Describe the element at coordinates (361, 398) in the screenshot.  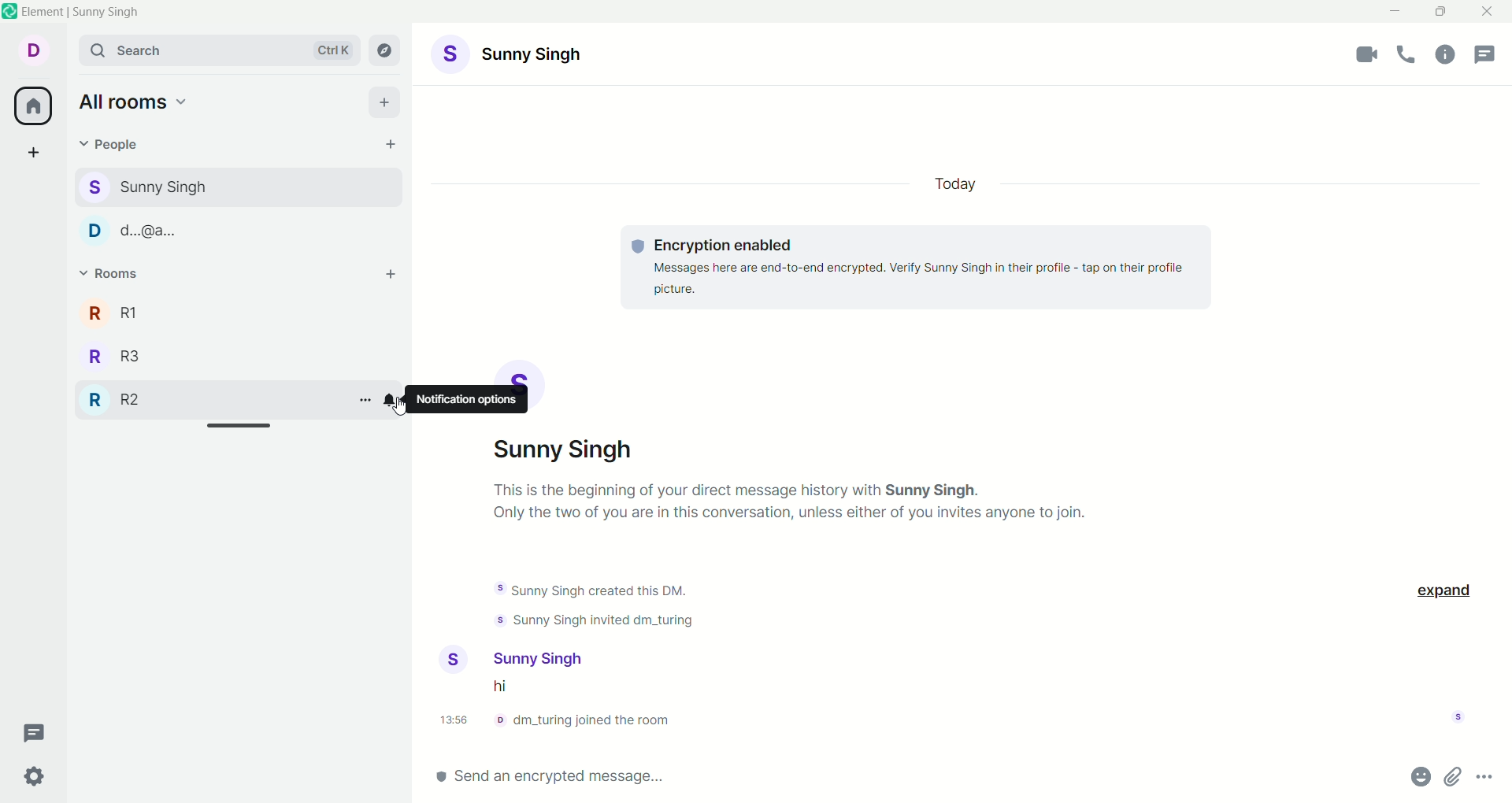
I see `options` at that location.